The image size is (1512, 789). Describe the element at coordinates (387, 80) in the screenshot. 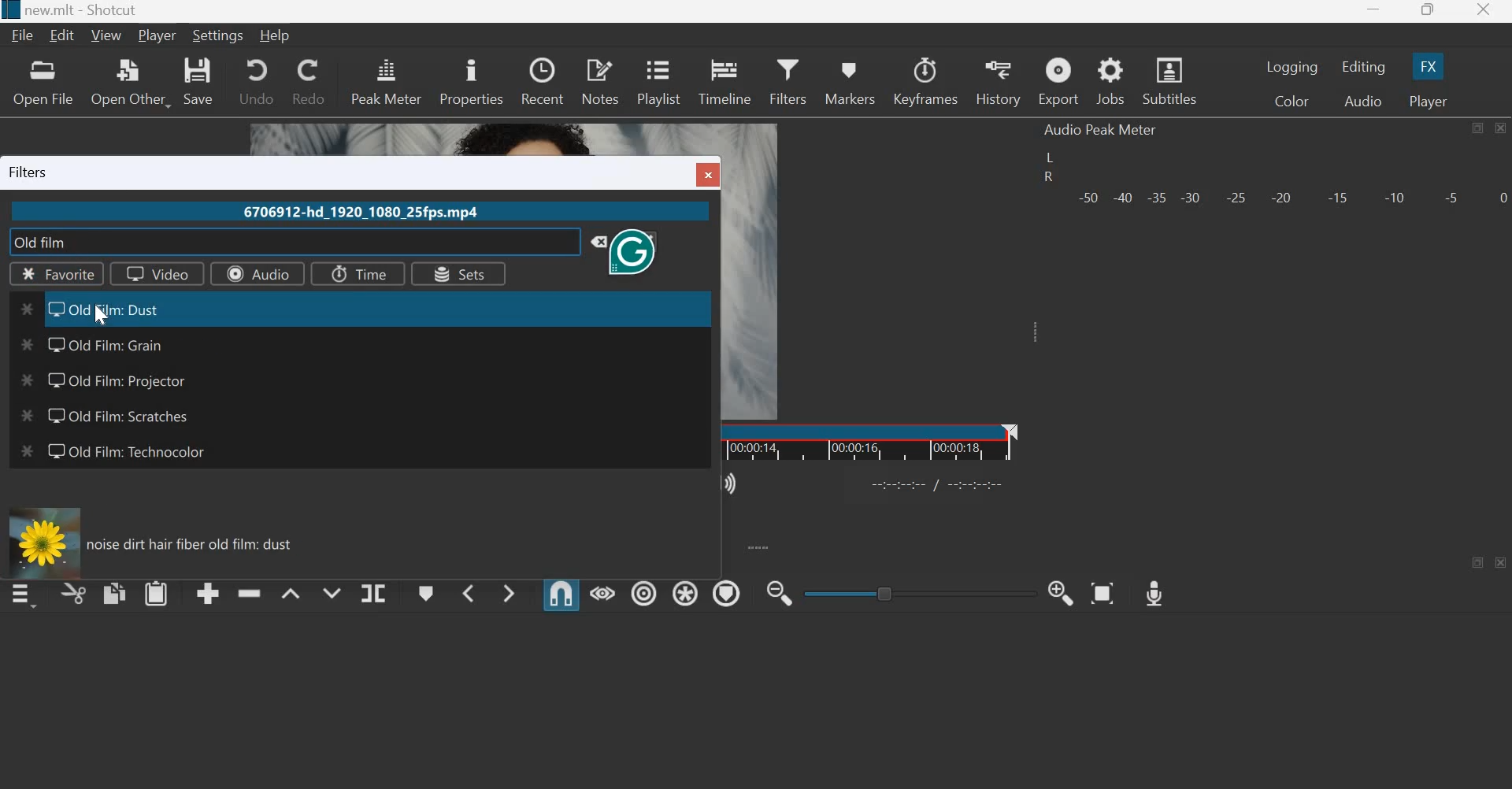

I see `peak meter` at that location.